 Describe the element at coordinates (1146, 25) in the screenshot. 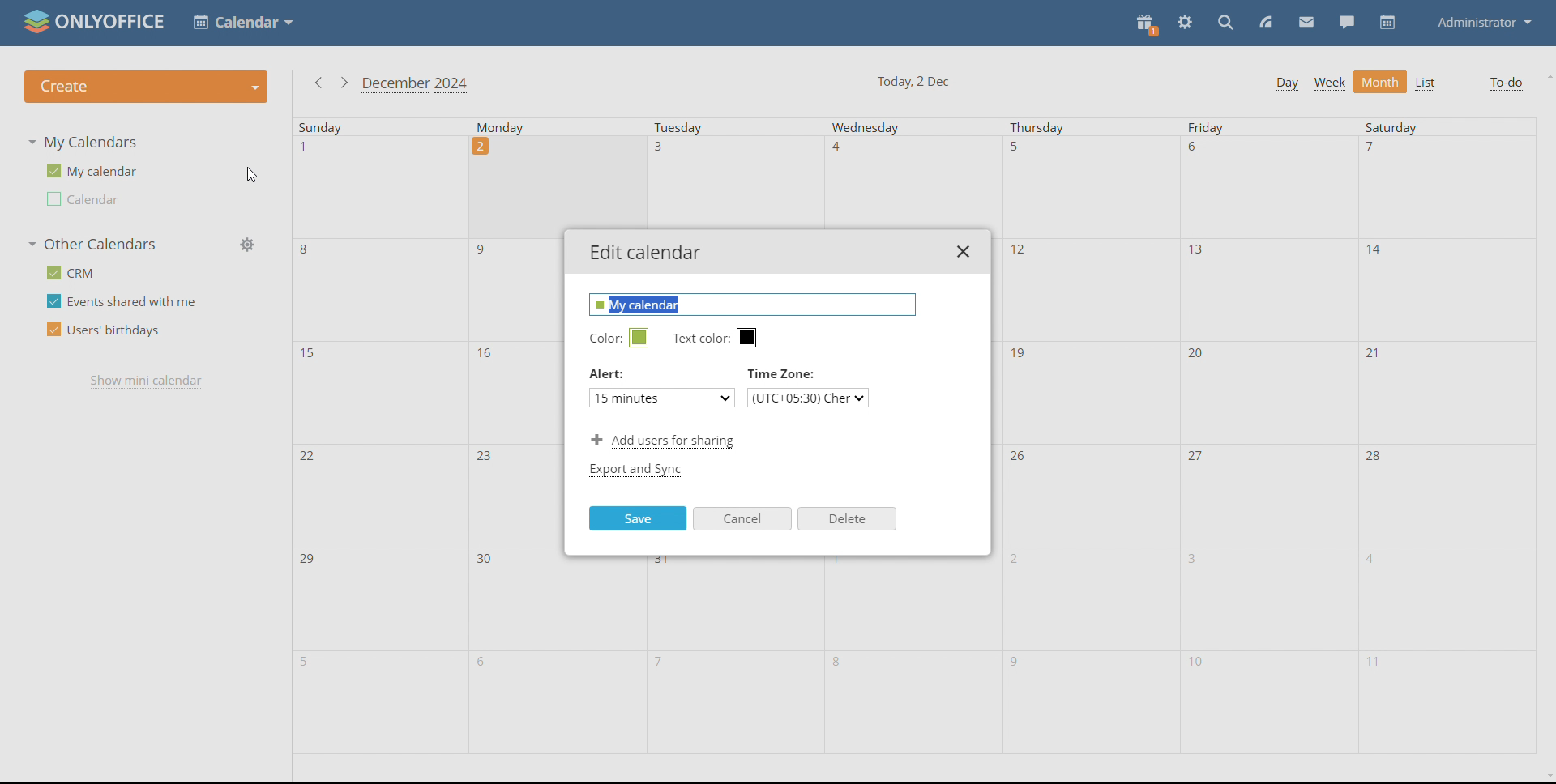

I see `present` at that location.